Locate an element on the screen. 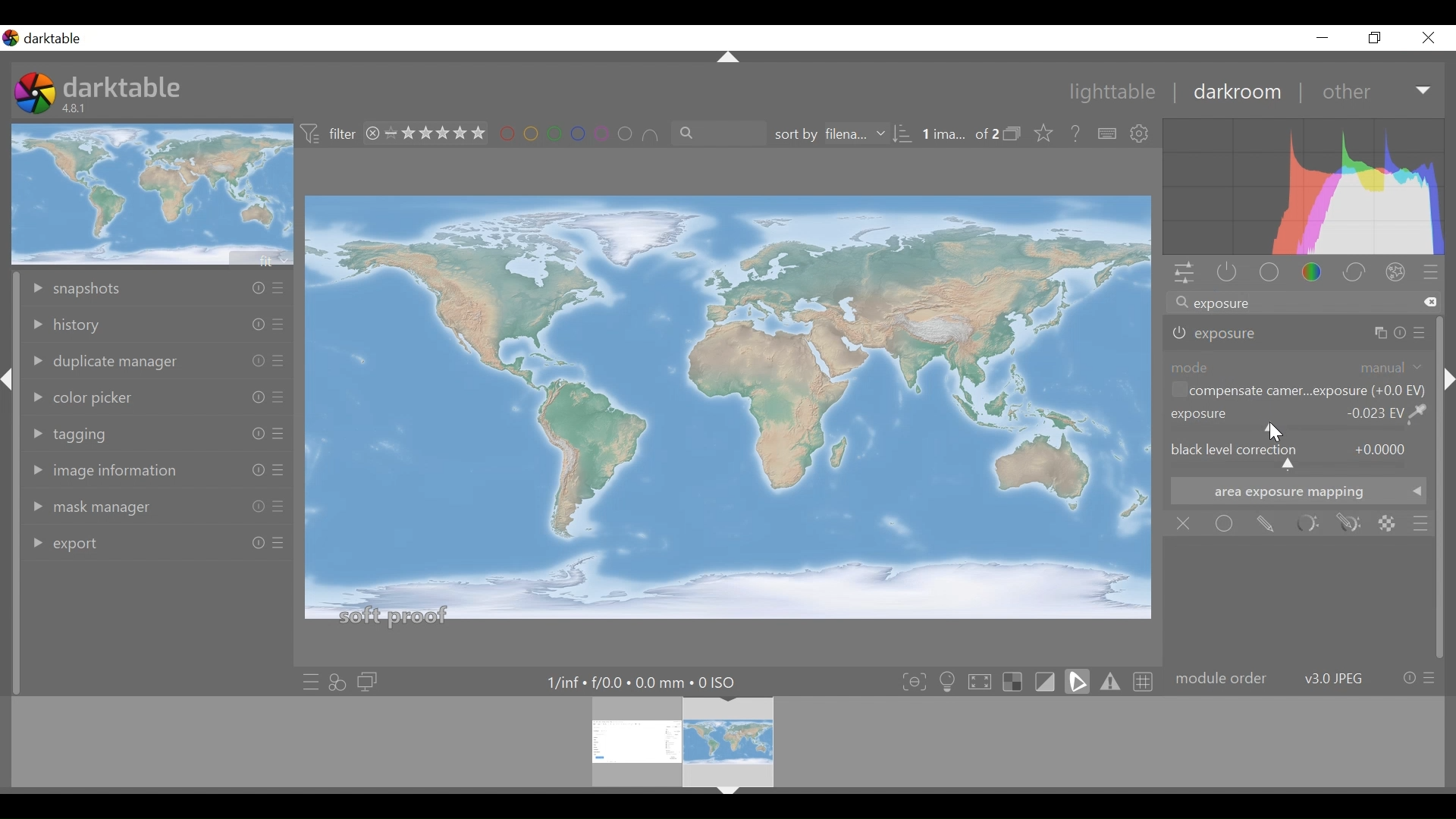  toggle high quality processing is located at coordinates (984, 681).